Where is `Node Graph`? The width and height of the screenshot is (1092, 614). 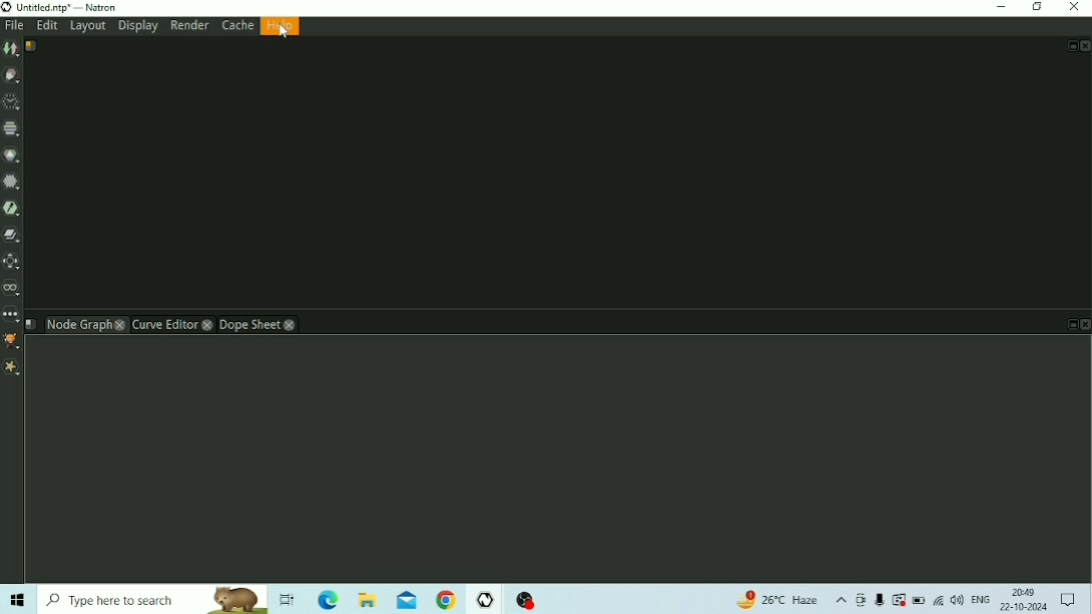
Node Graph is located at coordinates (85, 324).